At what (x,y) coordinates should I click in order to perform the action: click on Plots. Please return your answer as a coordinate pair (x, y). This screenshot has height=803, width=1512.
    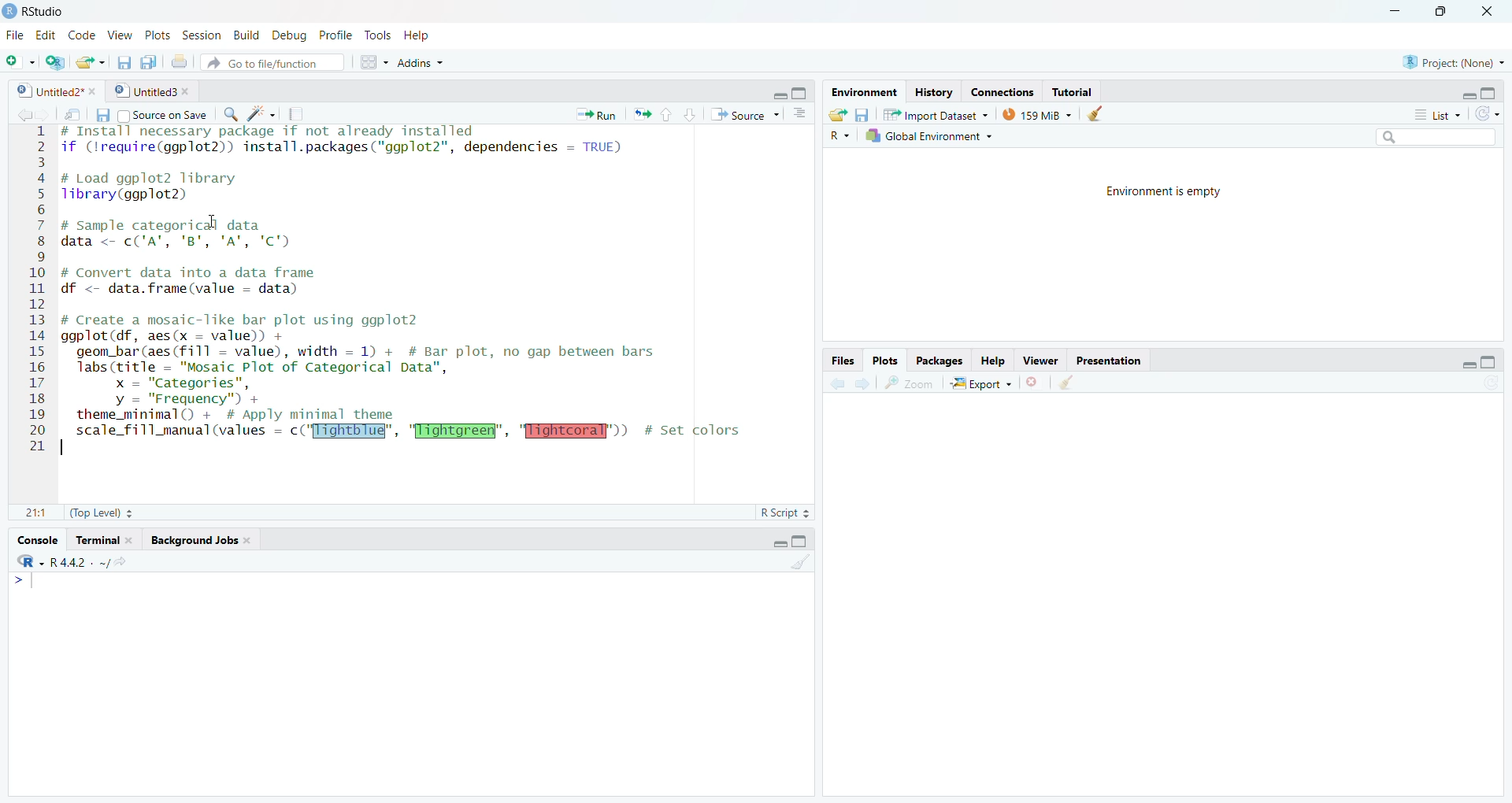
    Looking at the image, I should click on (884, 361).